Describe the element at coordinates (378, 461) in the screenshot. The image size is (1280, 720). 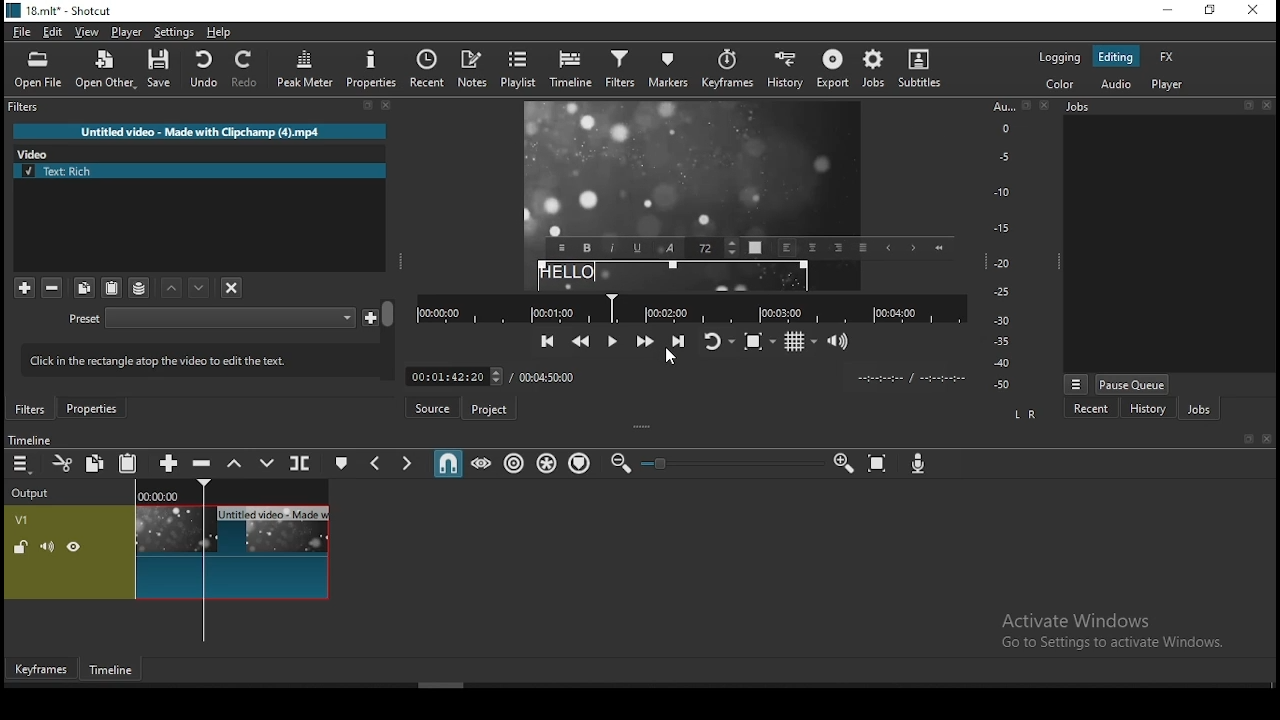
I see `previous marker` at that location.